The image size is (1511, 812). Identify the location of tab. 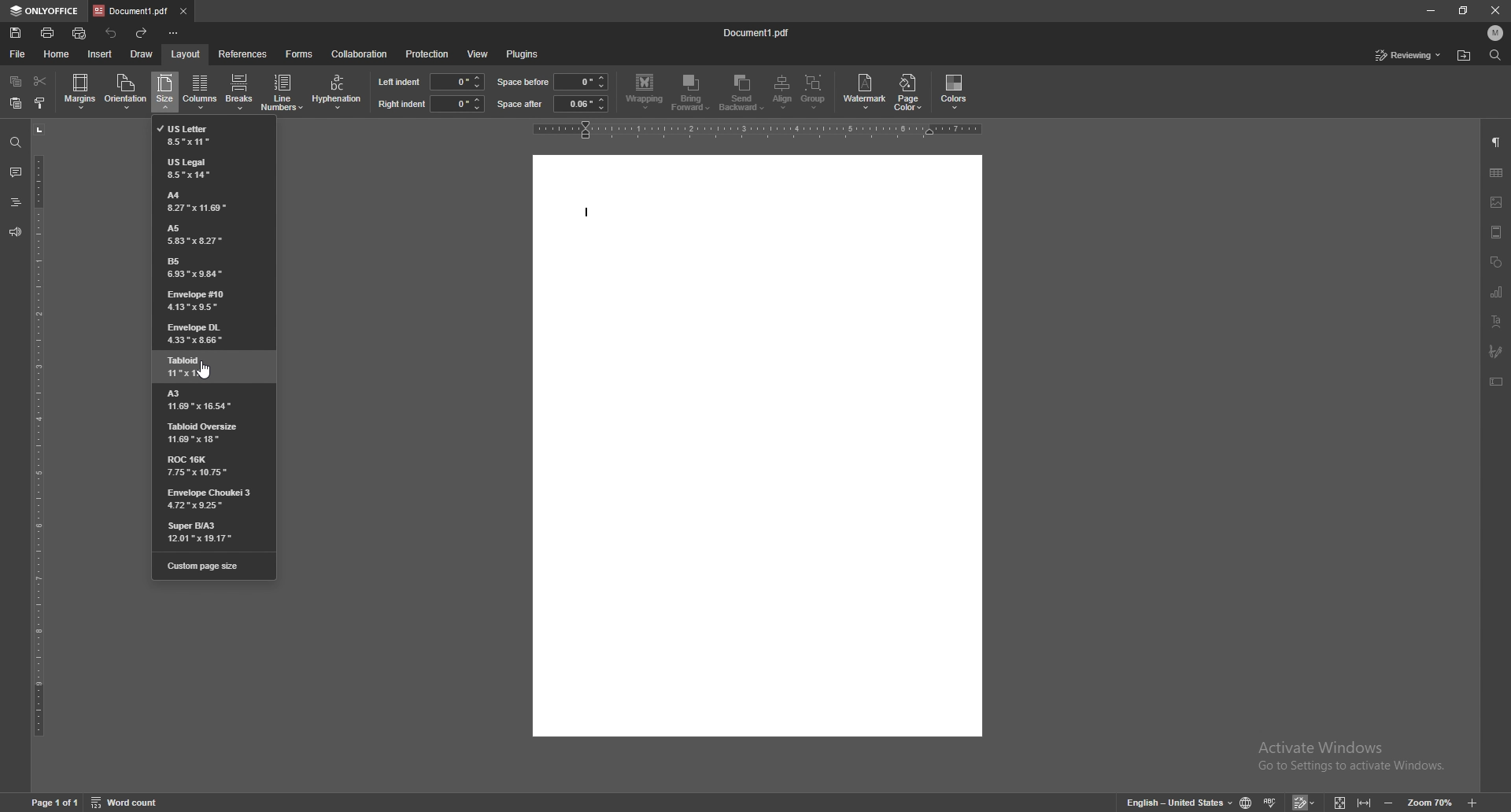
(131, 9).